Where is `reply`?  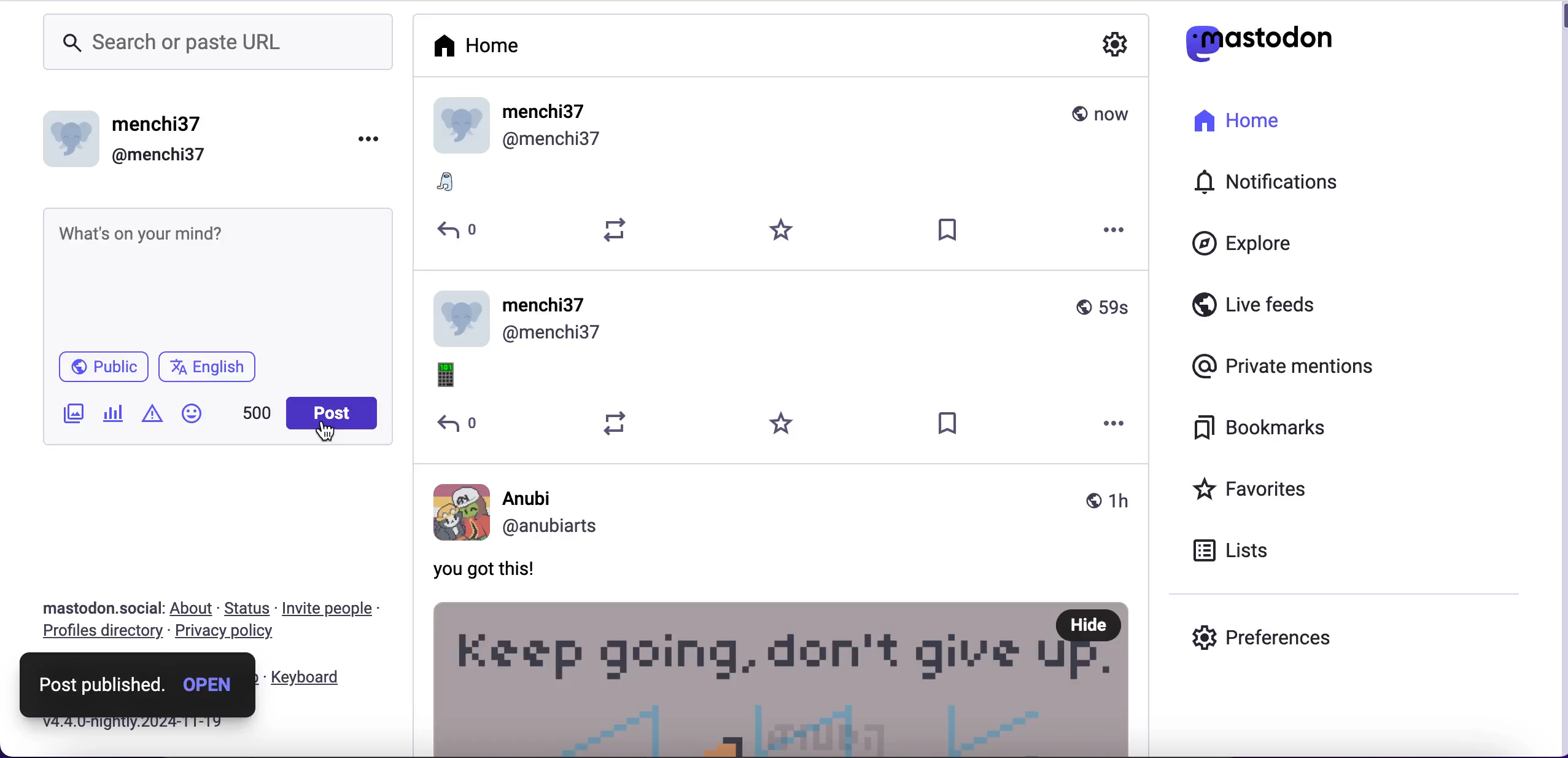 reply is located at coordinates (460, 231).